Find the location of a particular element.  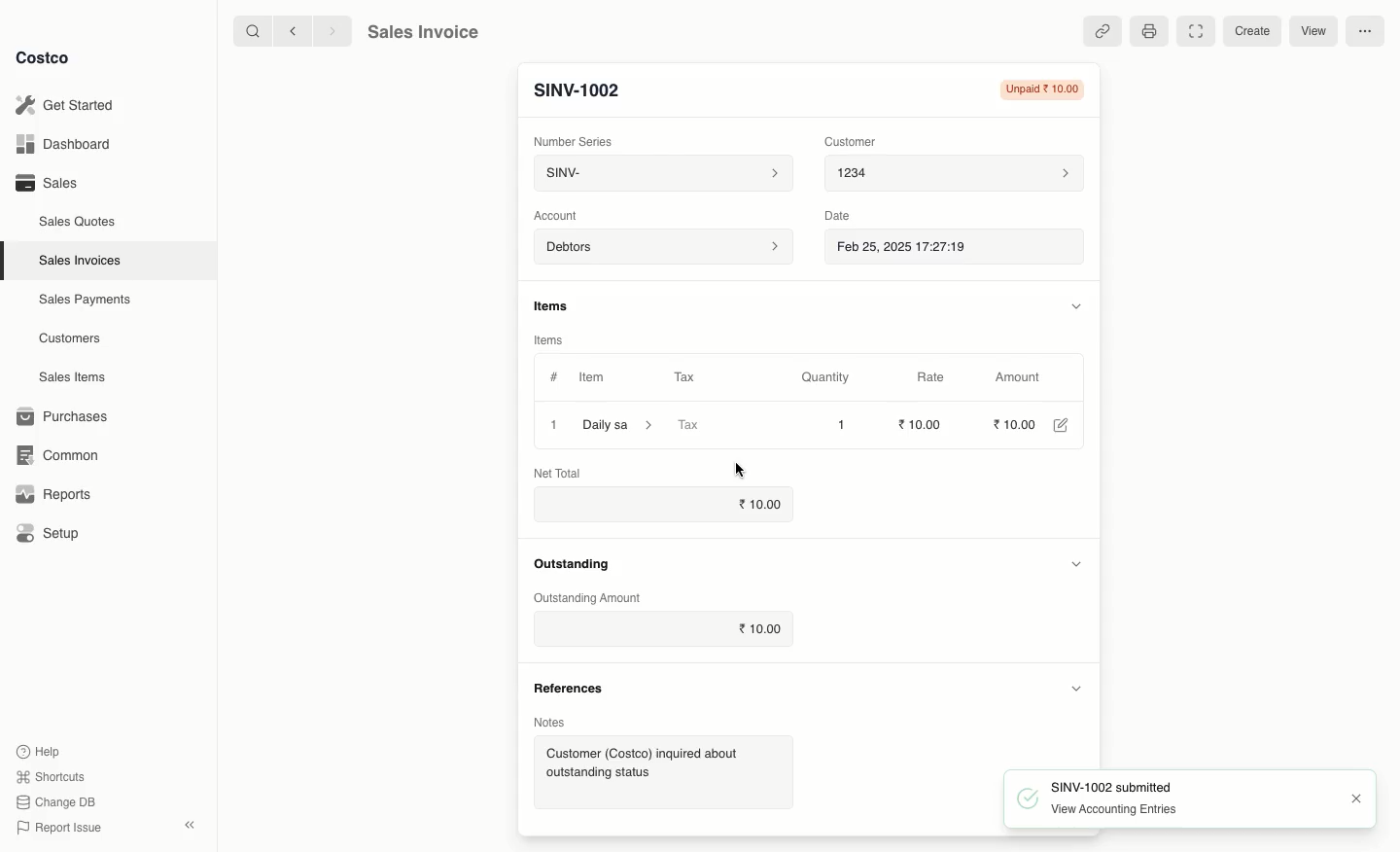

SINV-1001 is located at coordinates (586, 89).